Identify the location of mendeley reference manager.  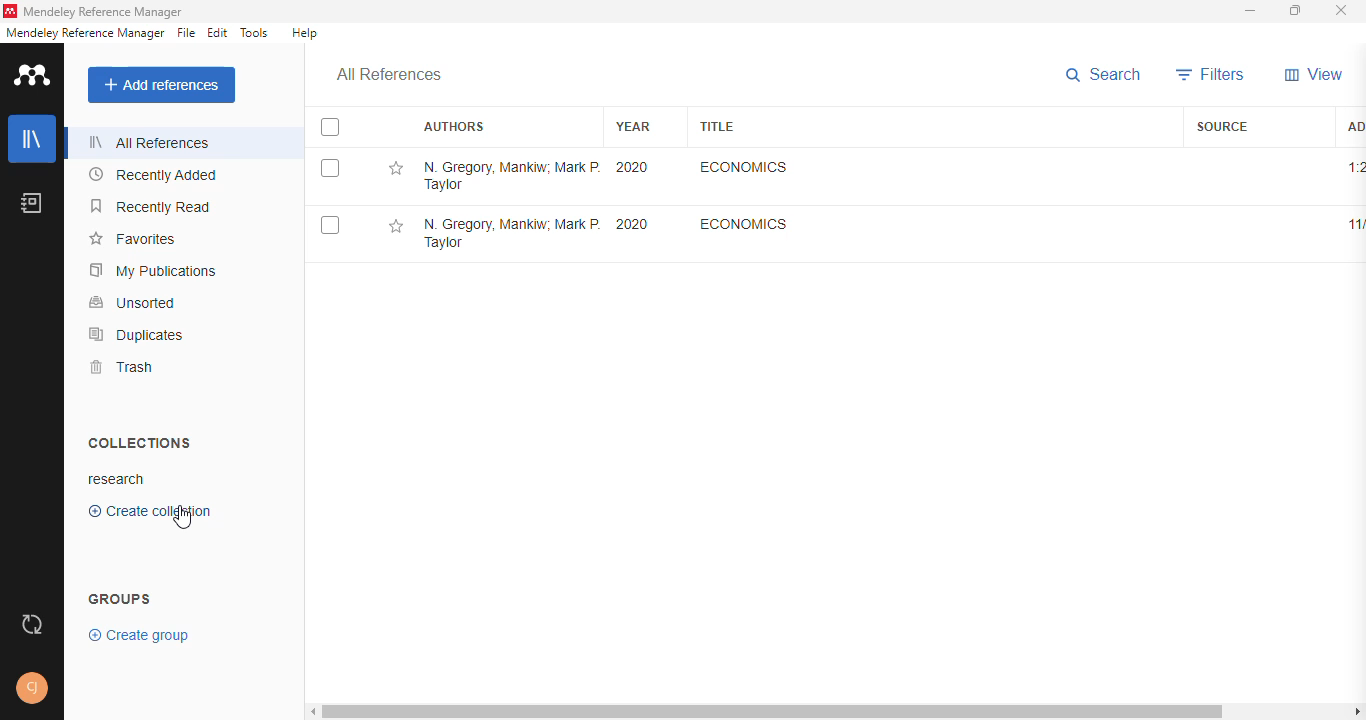
(85, 33).